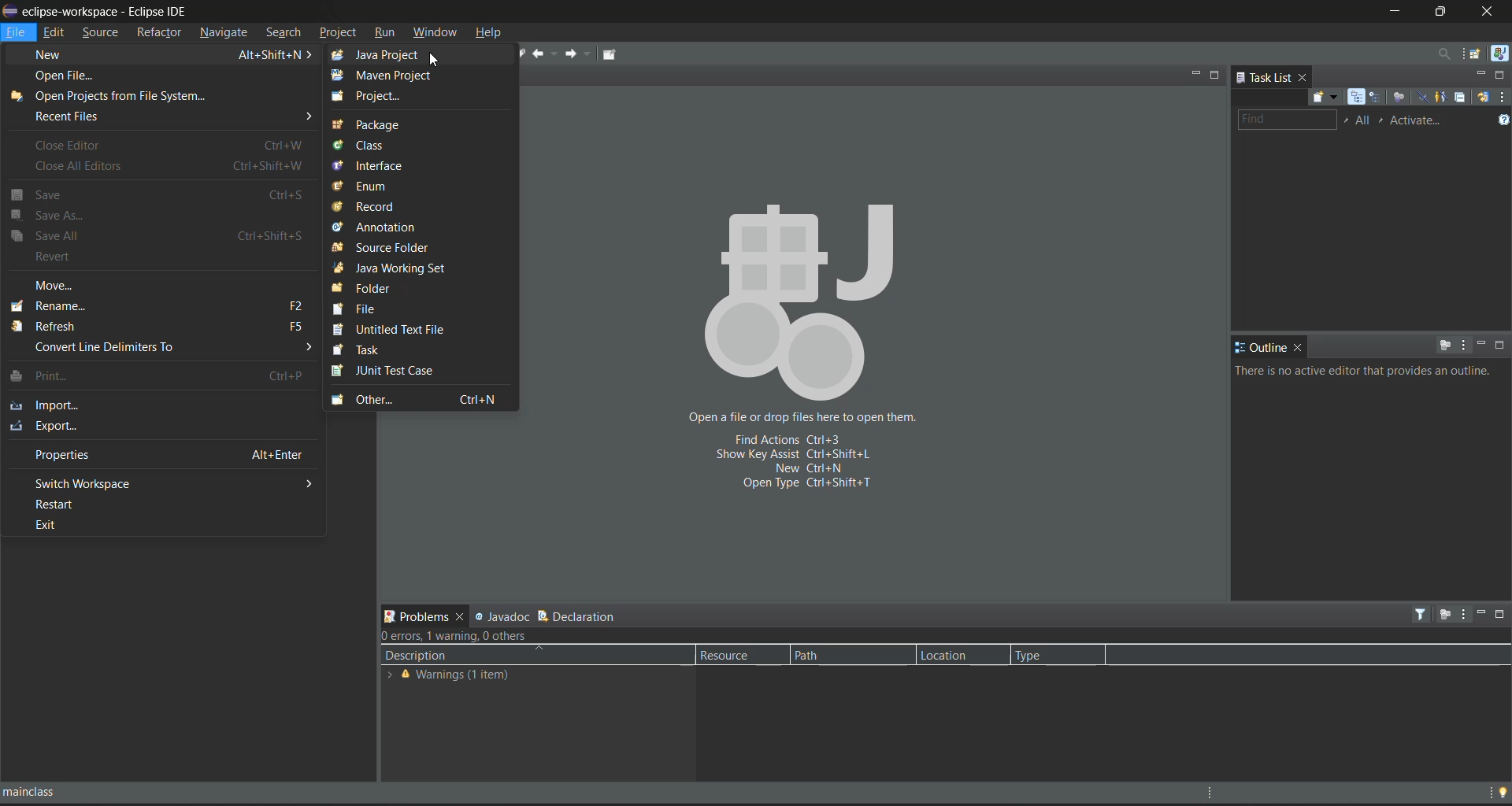 The width and height of the screenshot is (1512, 806). I want to click on task, so click(372, 349).